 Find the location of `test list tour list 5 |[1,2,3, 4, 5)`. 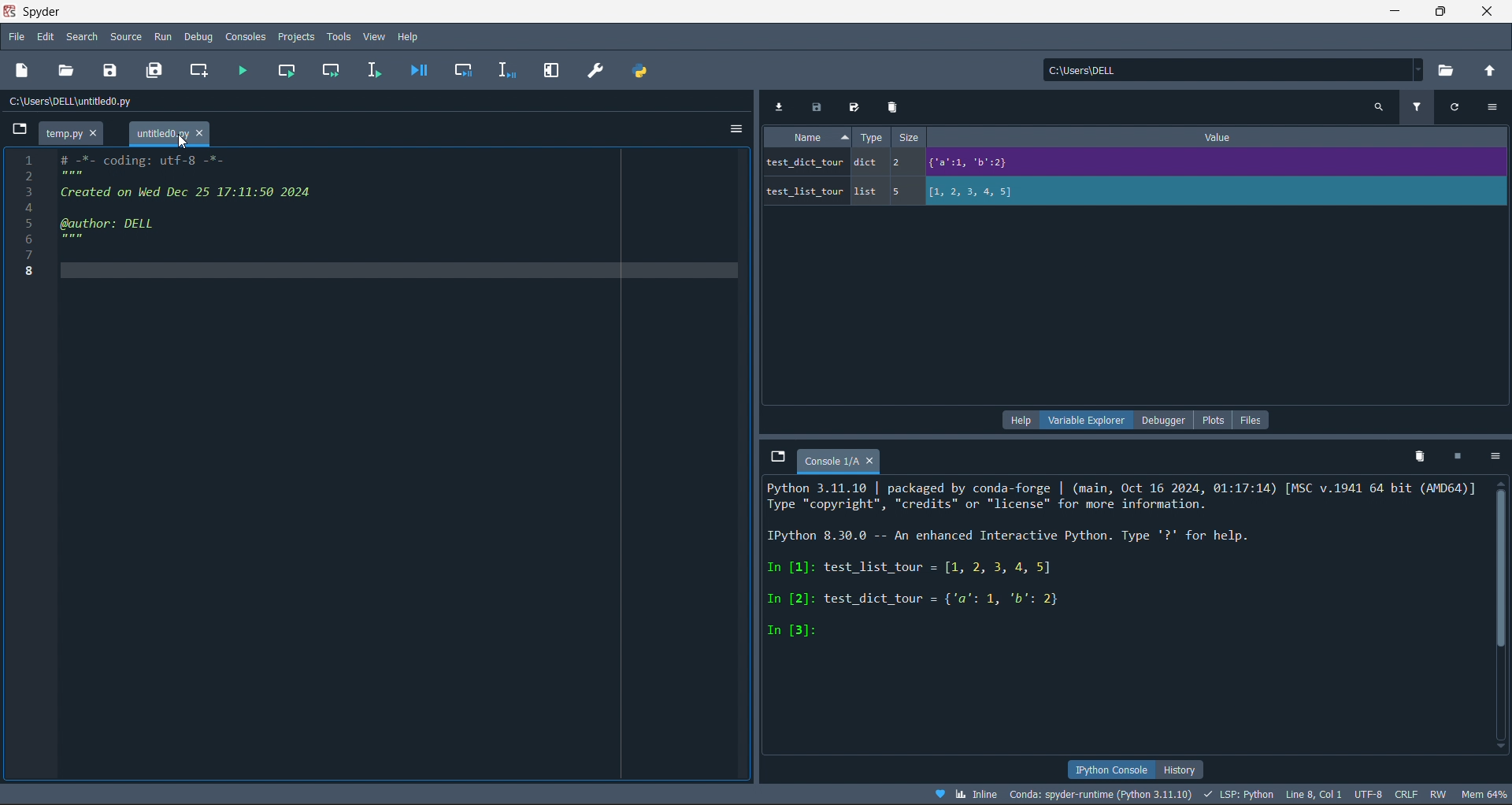

test list tour list 5 |[1,2,3, 4, 5) is located at coordinates (914, 195).